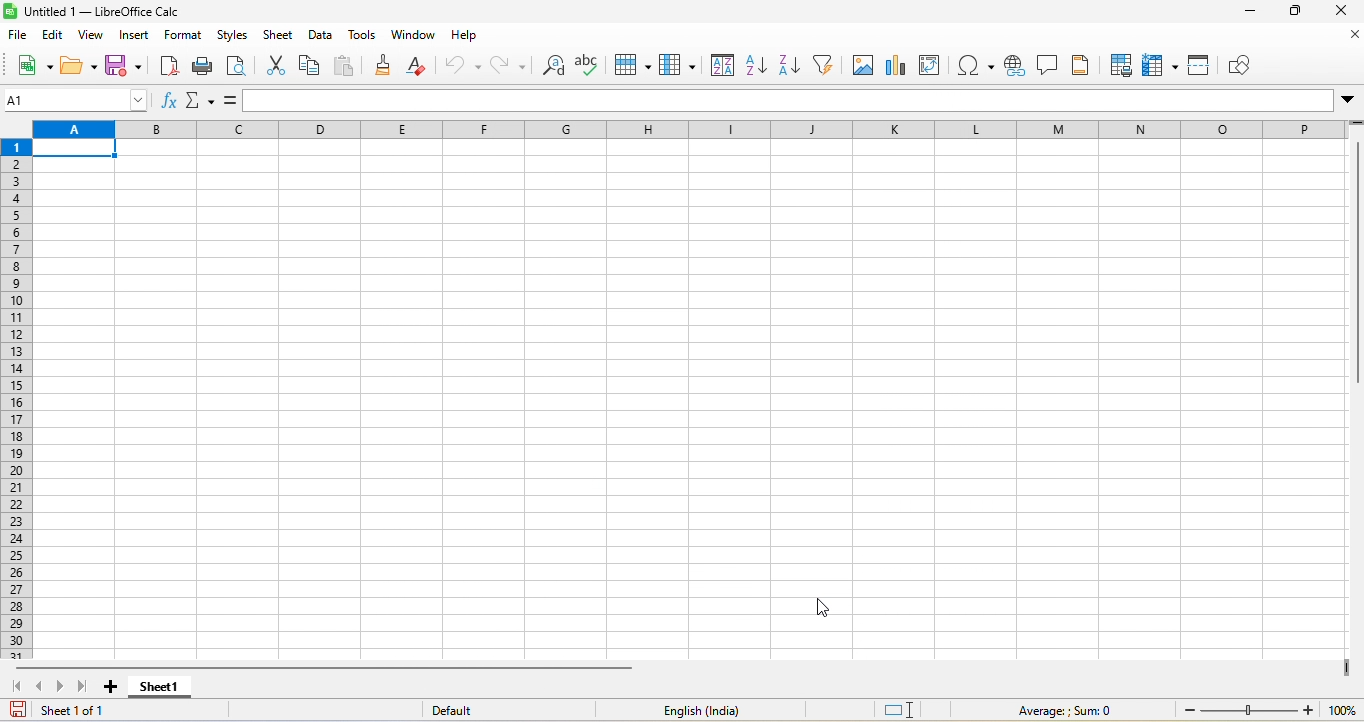  What do you see at coordinates (937, 67) in the screenshot?
I see `edit pivot table` at bounding box center [937, 67].